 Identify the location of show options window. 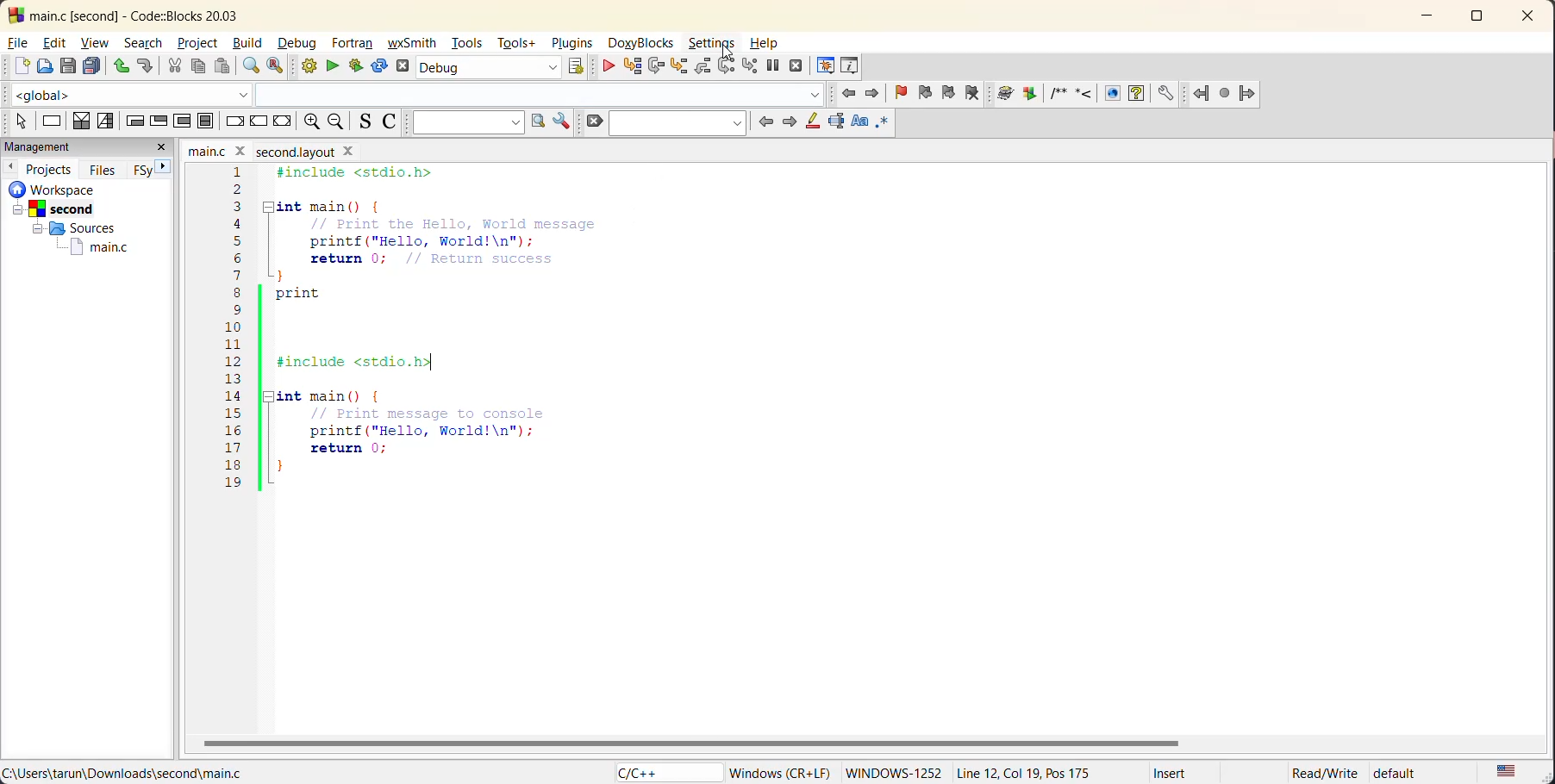
(563, 122).